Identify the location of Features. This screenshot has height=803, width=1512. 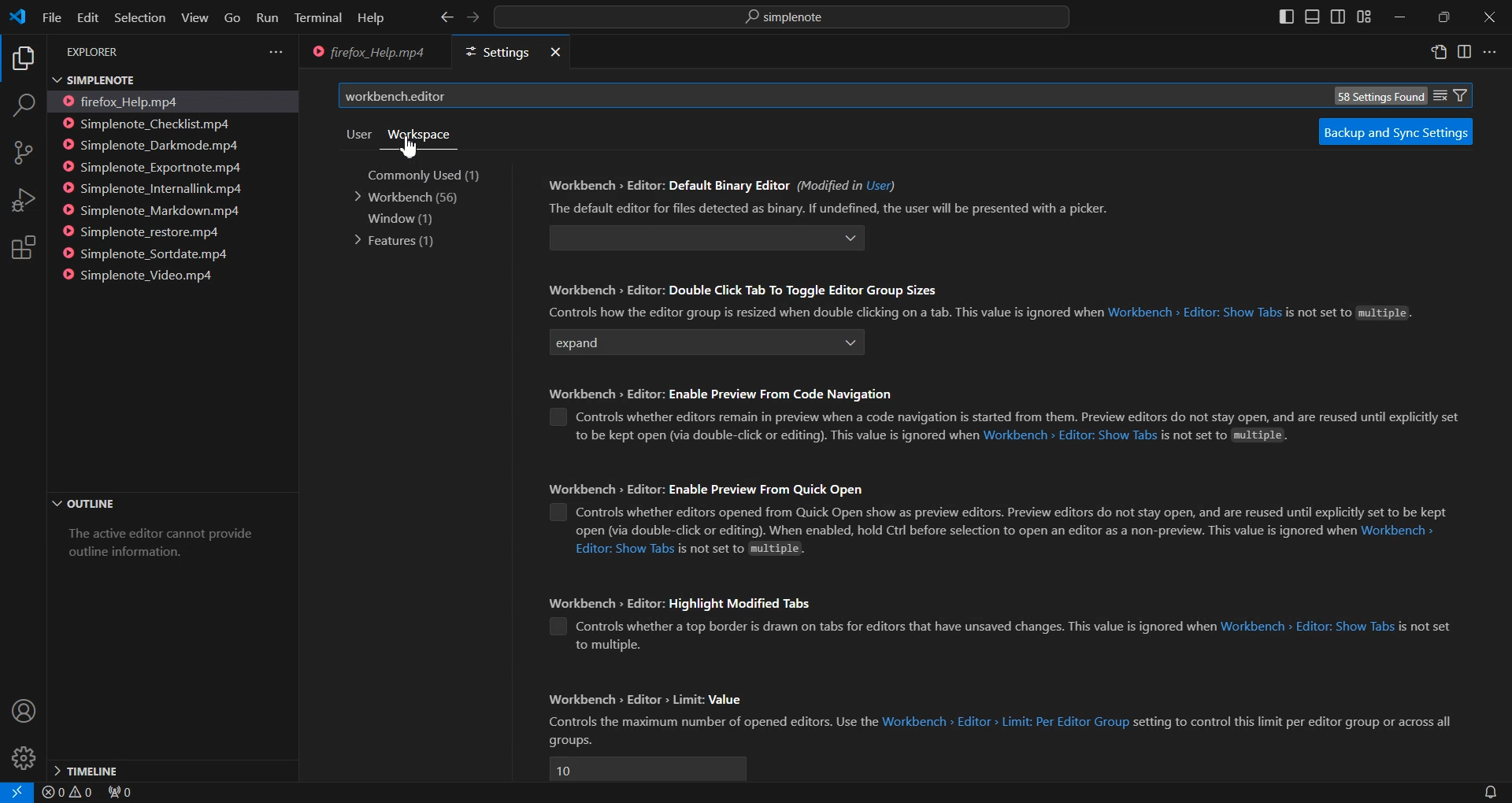
(397, 240).